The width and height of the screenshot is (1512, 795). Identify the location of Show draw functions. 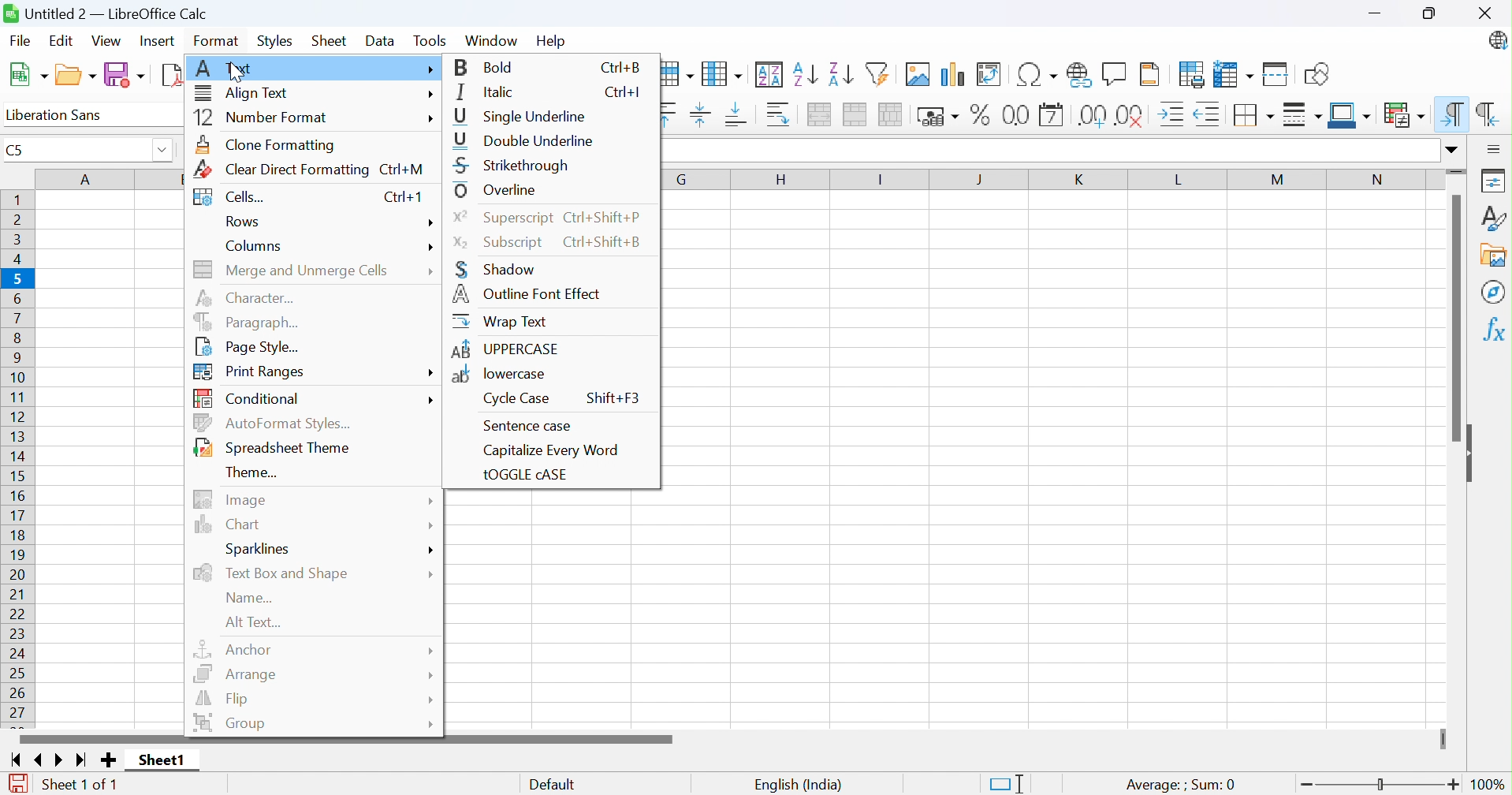
(1316, 73).